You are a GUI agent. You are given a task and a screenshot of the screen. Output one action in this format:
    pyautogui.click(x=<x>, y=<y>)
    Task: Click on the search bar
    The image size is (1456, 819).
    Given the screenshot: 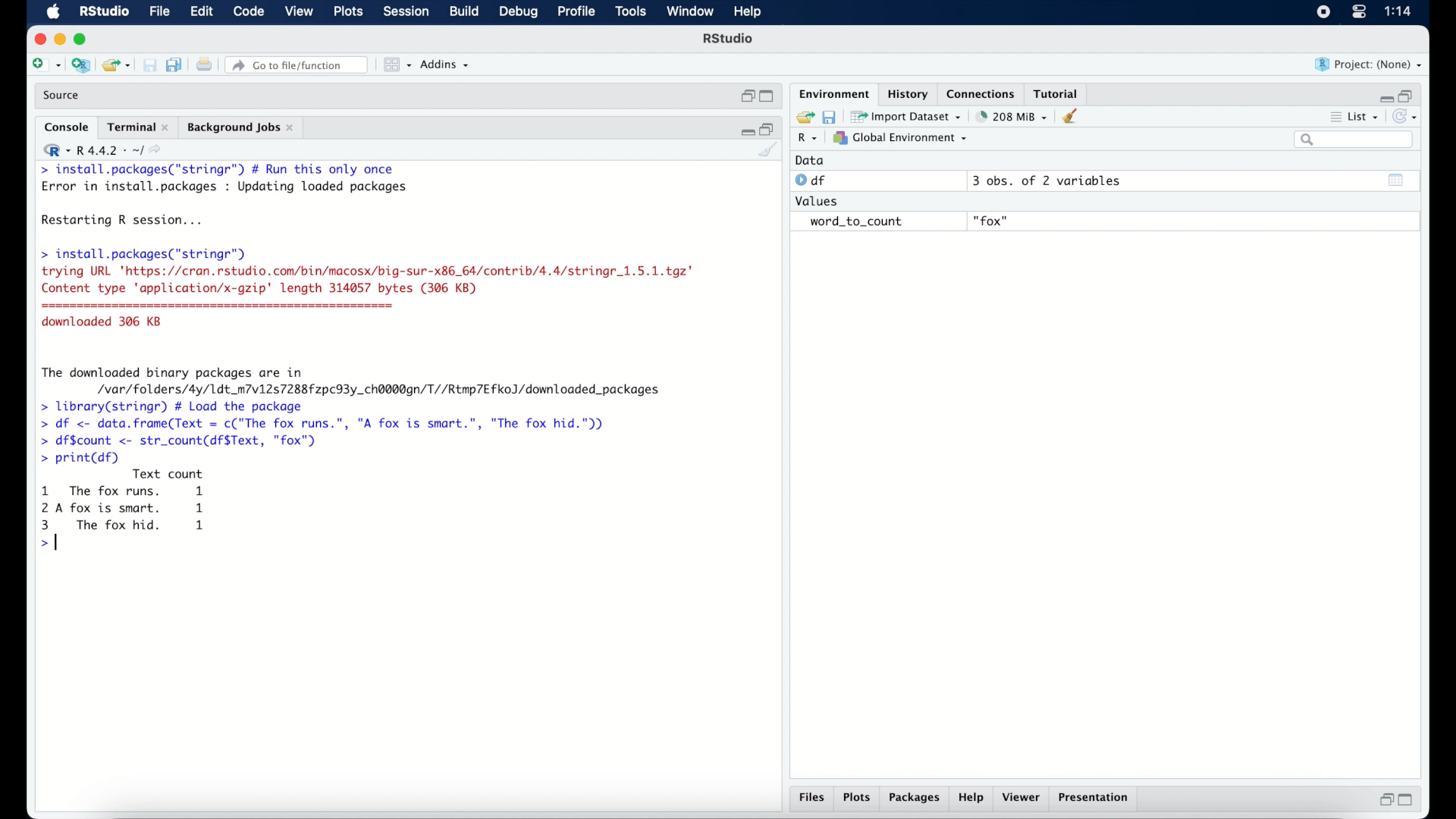 What is the action you would take?
    pyautogui.click(x=1356, y=140)
    